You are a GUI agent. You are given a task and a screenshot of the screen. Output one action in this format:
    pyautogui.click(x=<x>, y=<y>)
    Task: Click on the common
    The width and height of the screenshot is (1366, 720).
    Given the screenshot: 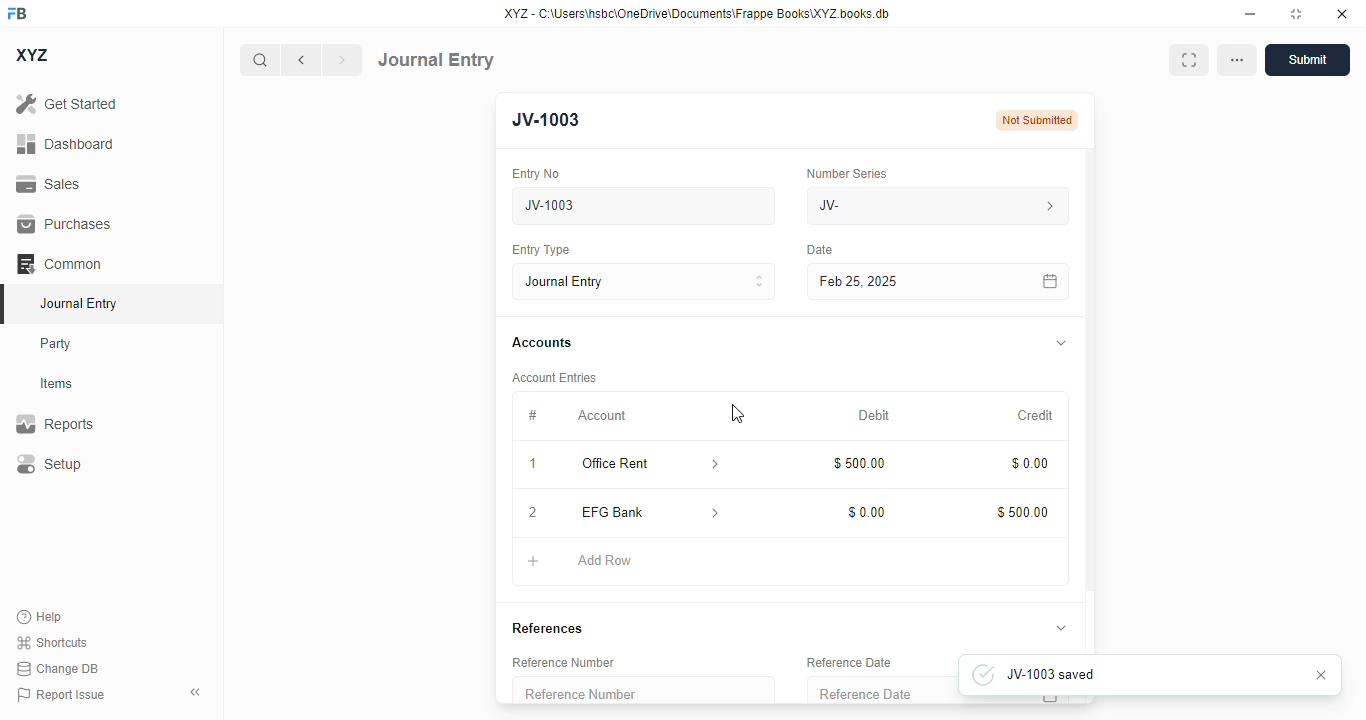 What is the action you would take?
    pyautogui.click(x=59, y=264)
    